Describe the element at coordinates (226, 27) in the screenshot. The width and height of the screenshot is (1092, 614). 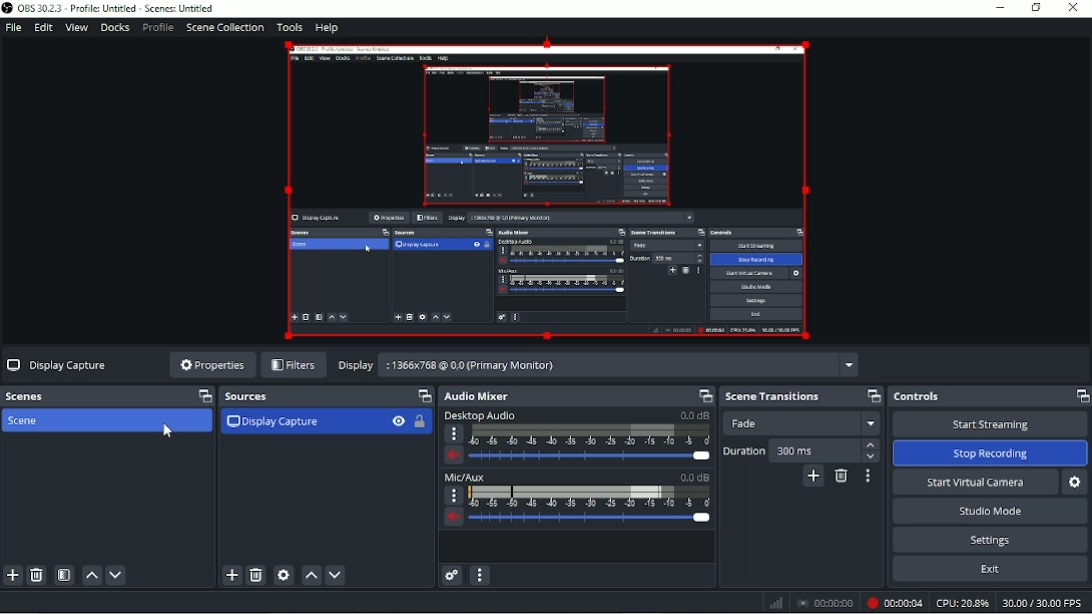
I see `Scene collection` at that location.